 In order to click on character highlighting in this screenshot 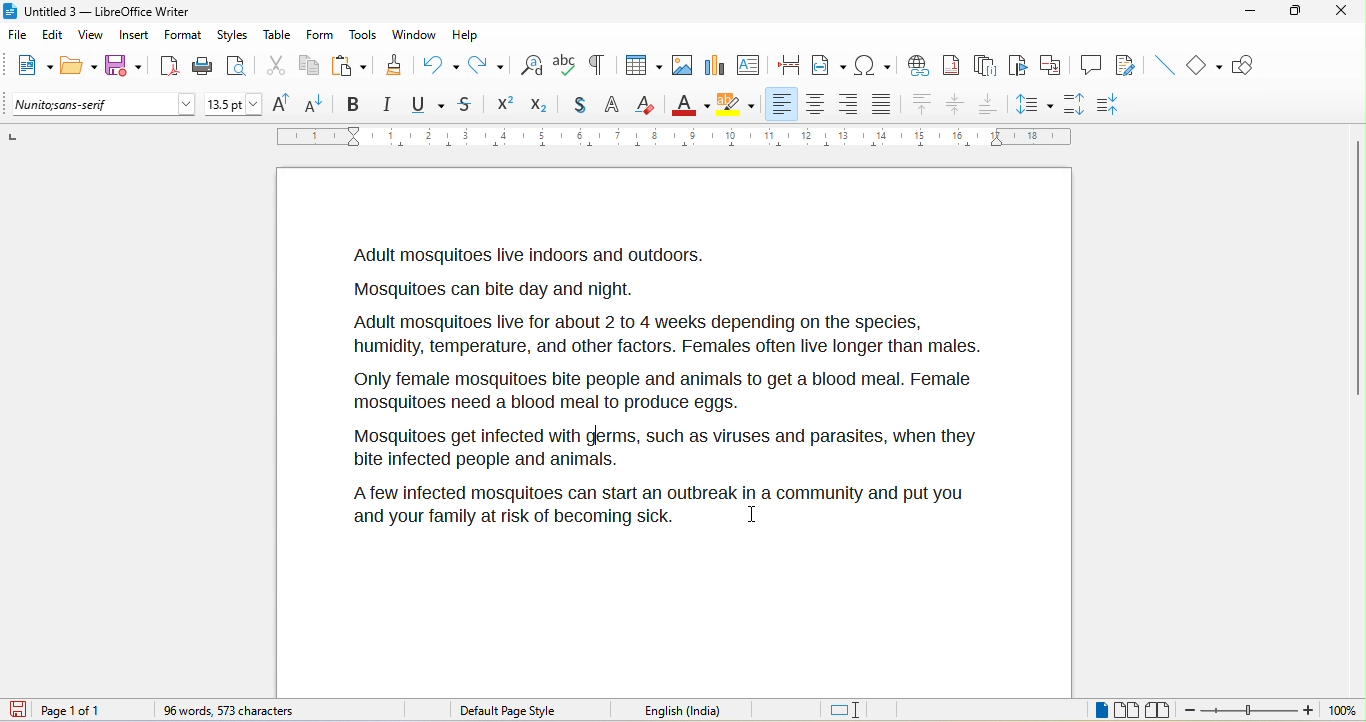, I will do `click(738, 104)`.